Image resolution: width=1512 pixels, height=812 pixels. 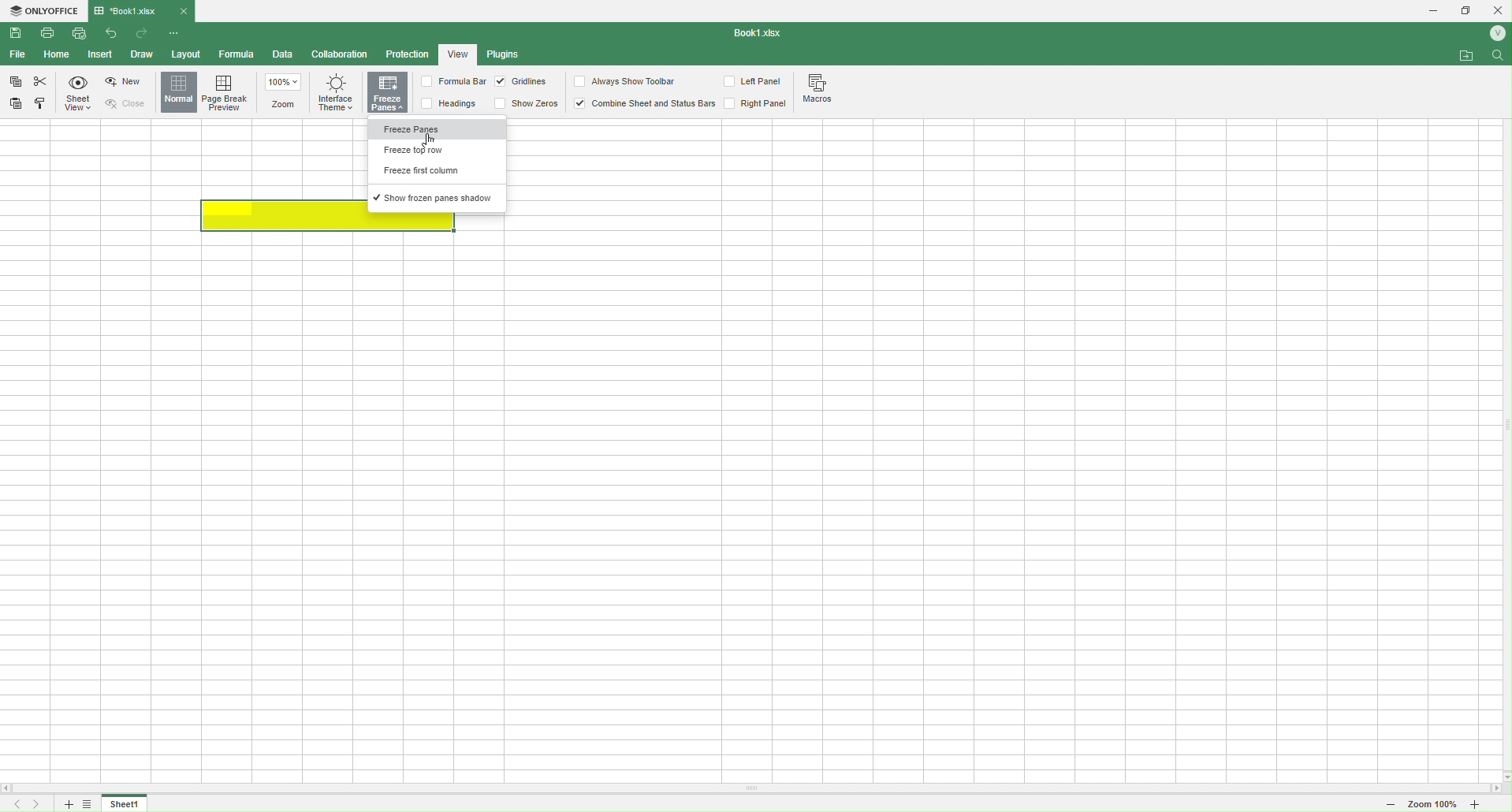 I want to click on Undo, so click(x=114, y=35).